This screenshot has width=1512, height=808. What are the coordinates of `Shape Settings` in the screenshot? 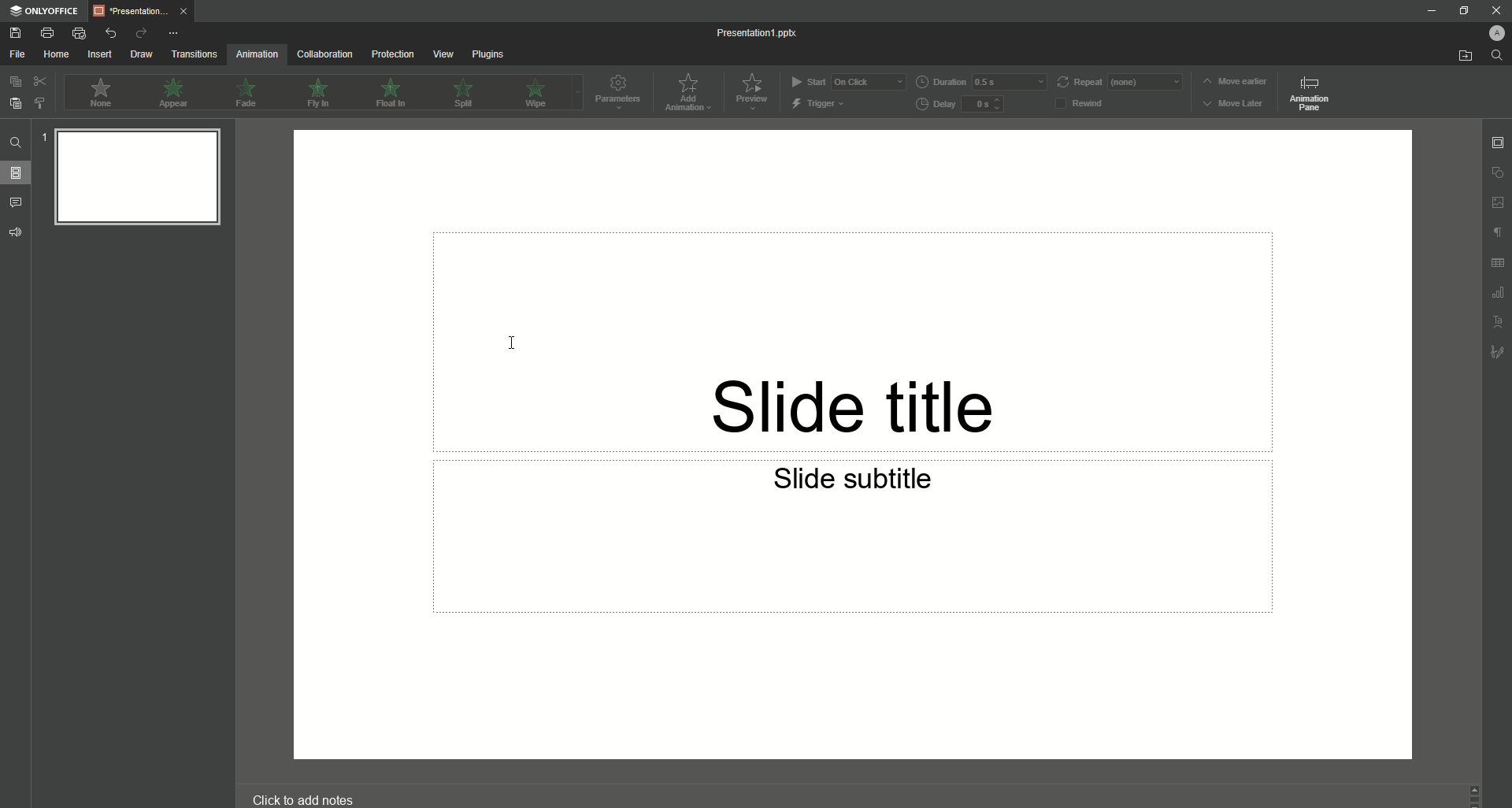 It's located at (1495, 172).